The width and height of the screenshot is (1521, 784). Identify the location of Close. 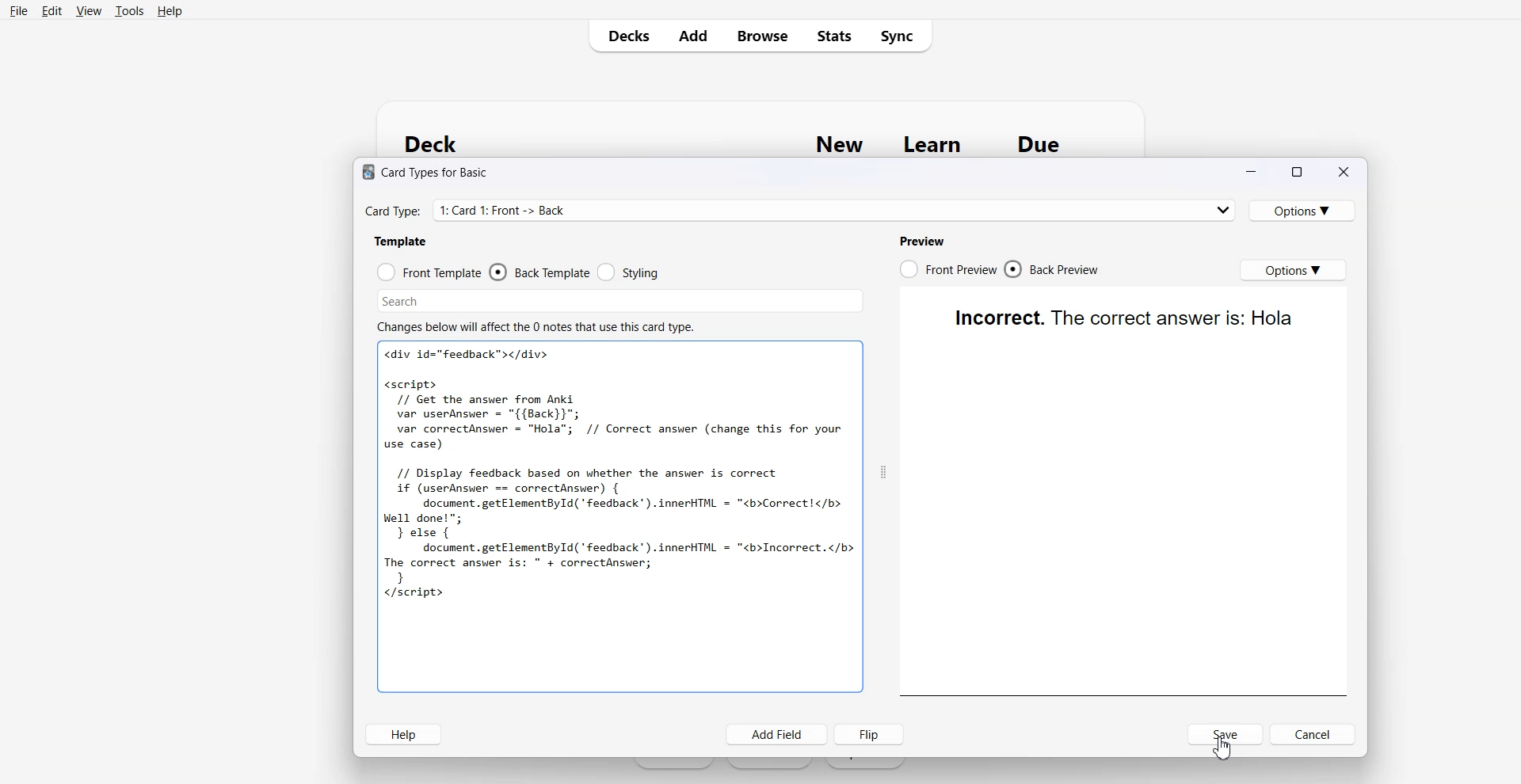
(1341, 172).